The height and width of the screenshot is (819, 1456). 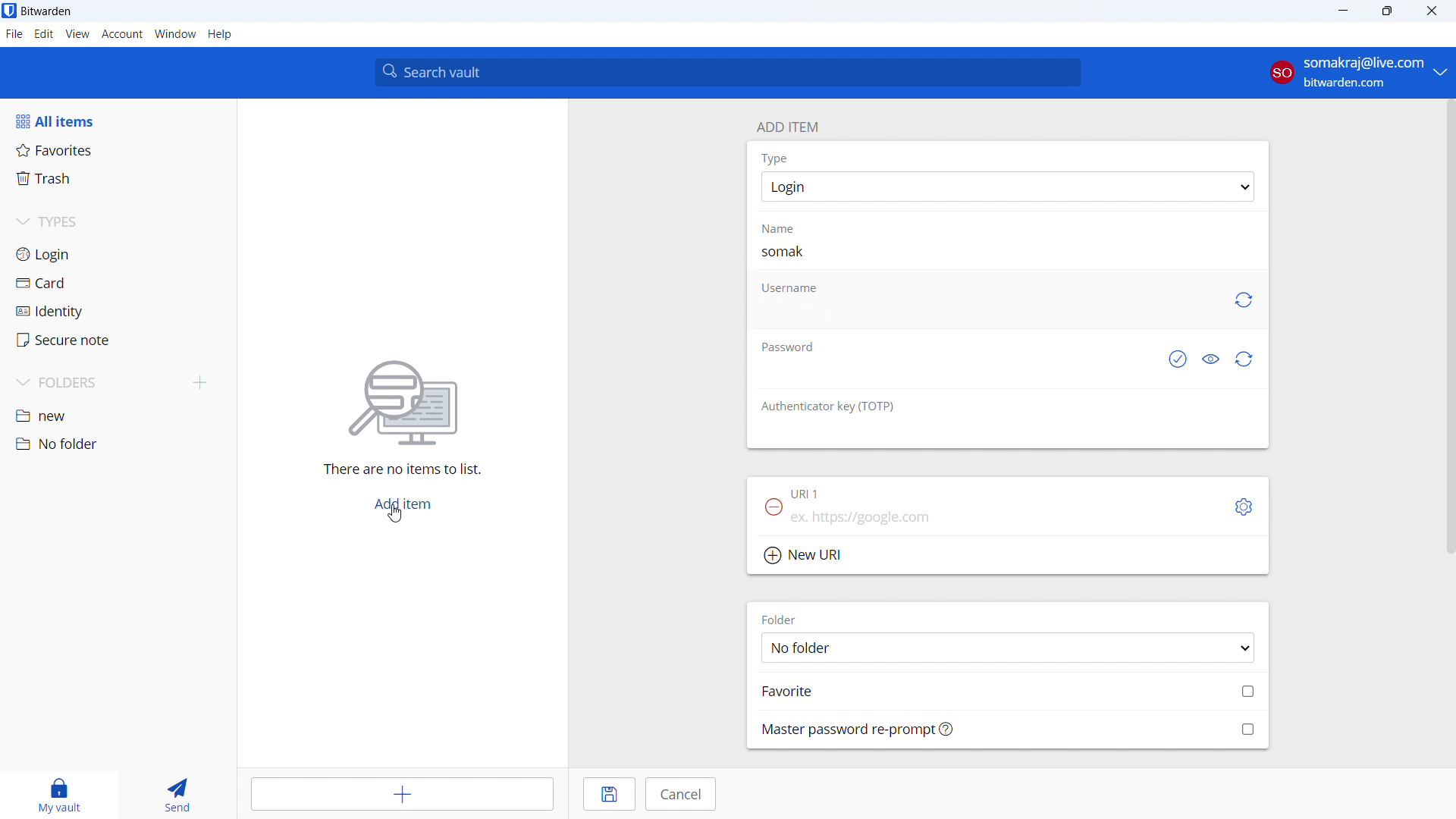 What do you see at coordinates (773, 507) in the screenshot?
I see `remove URl` at bounding box center [773, 507].